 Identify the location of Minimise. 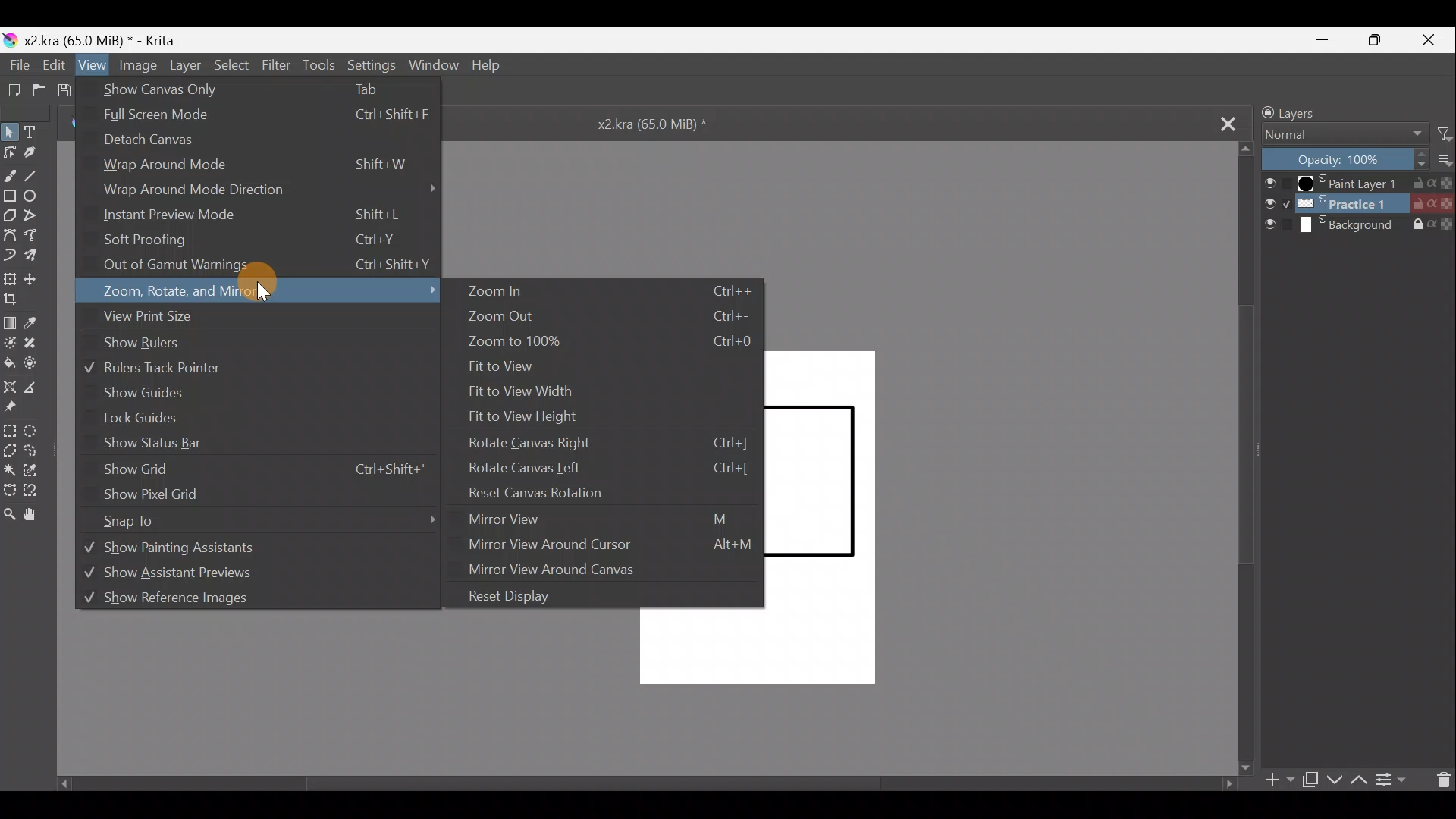
(1326, 39).